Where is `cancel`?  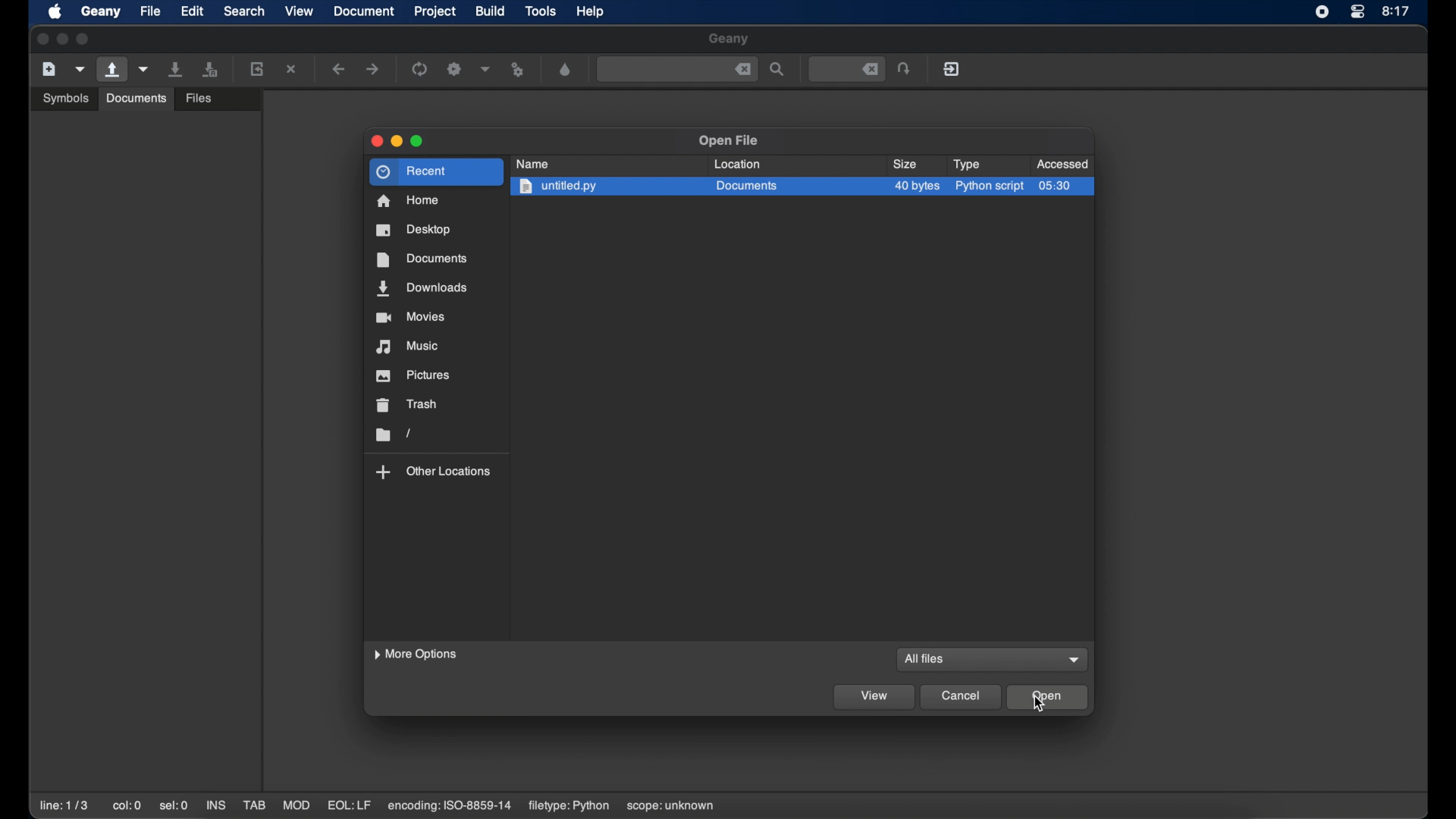 cancel is located at coordinates (962, 697).